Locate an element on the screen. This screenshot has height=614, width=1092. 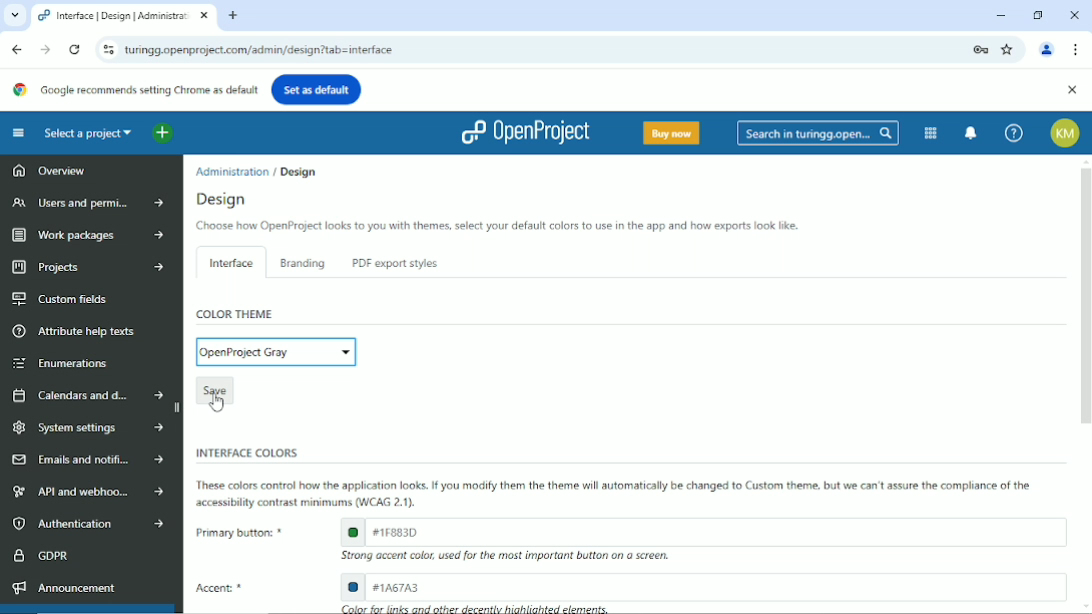
Custom fields is located at coordinates (62, 299).